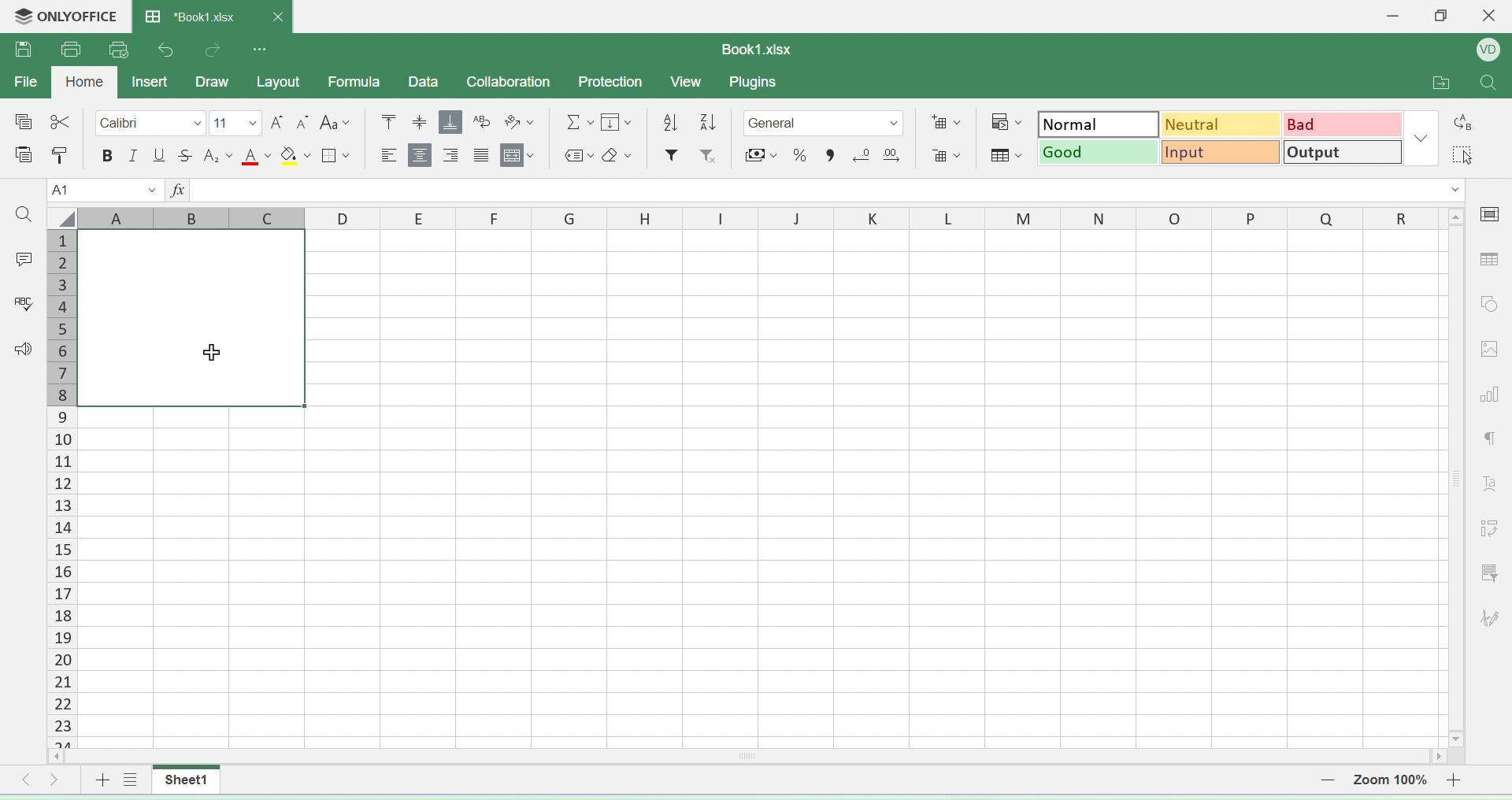  What do you see at coordinates (306, 121) in the screenshot?
I see `` at bounding box center [306, 121].